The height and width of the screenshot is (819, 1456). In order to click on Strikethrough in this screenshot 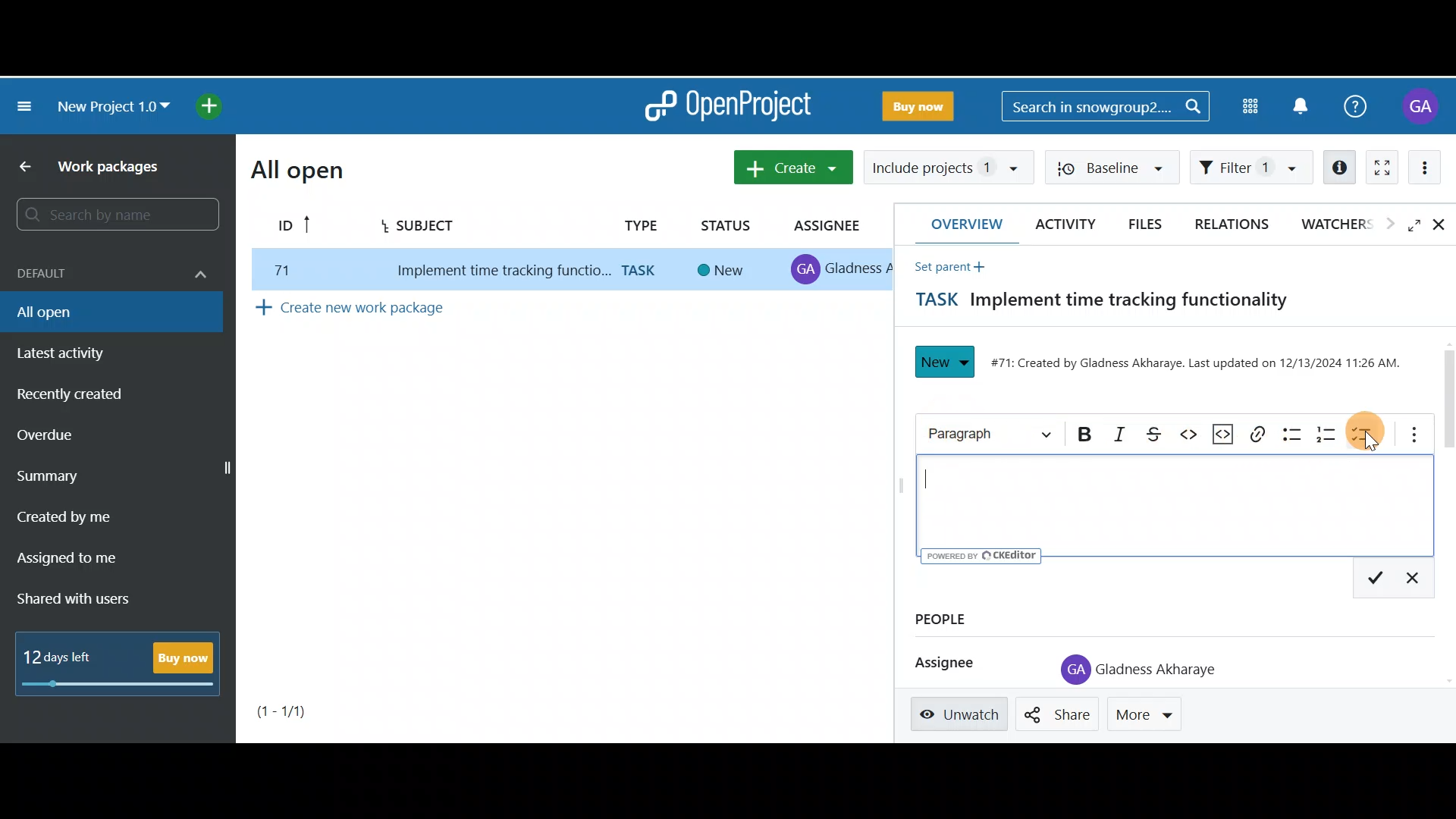, I will do `click(1160, 434)`.